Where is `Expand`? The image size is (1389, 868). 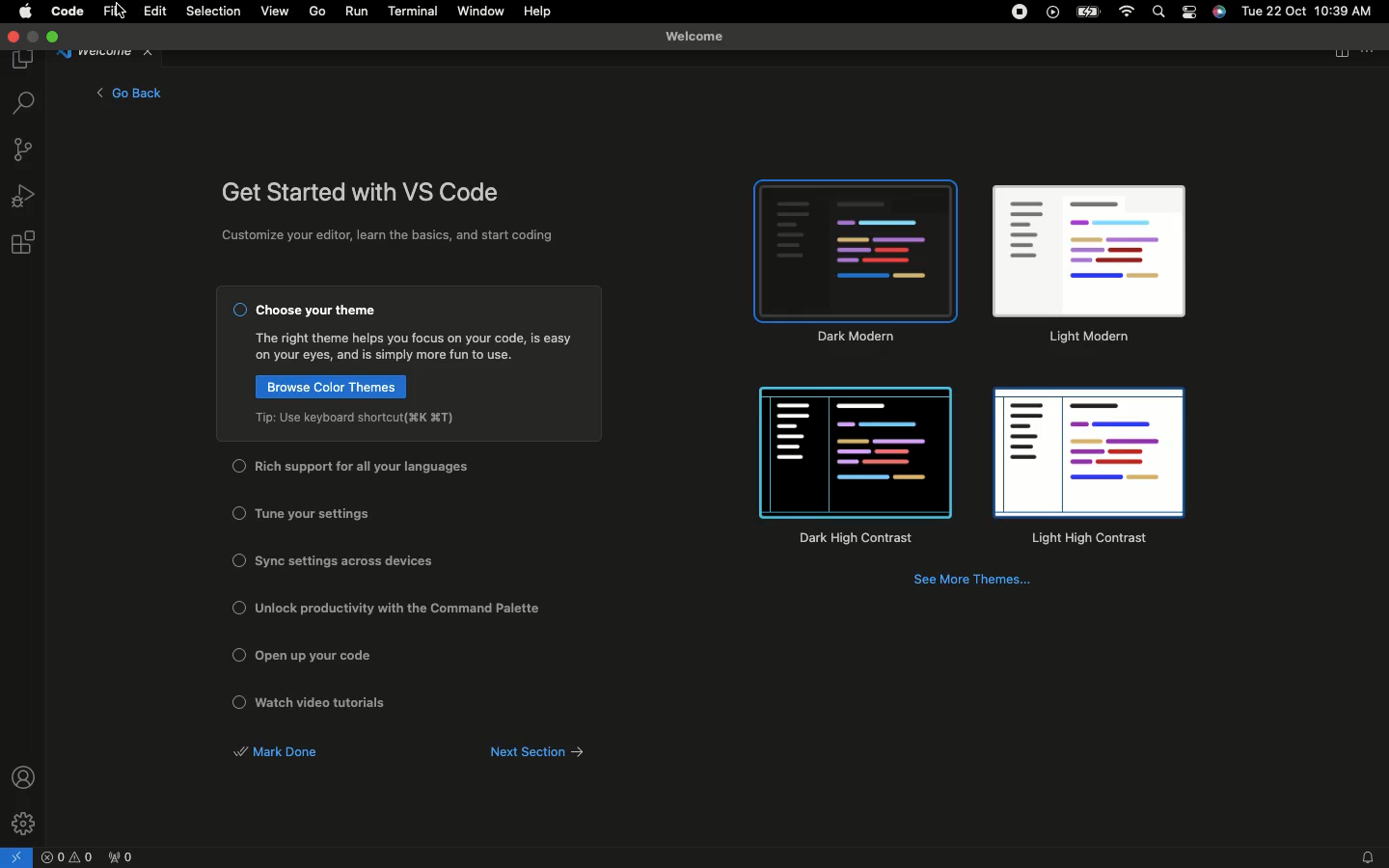 Expand is located at coordinates (55, 37).